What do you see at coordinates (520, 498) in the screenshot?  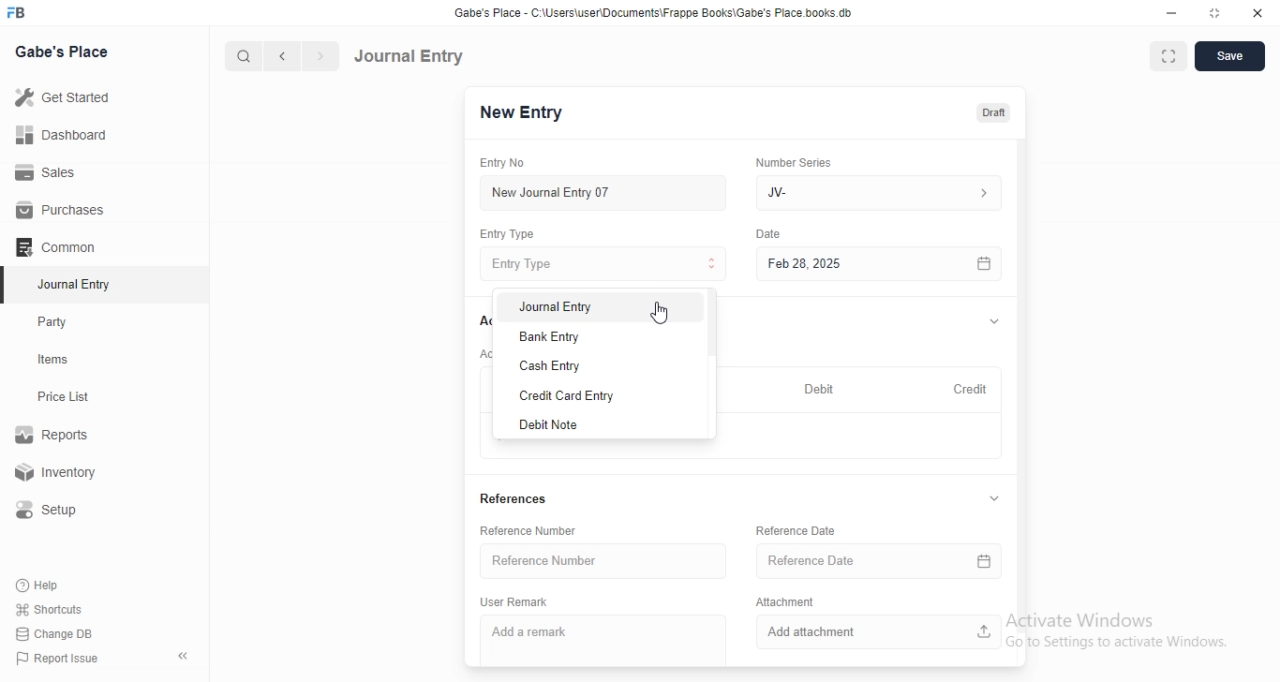 I see `References` at bounding box center [520, 498].